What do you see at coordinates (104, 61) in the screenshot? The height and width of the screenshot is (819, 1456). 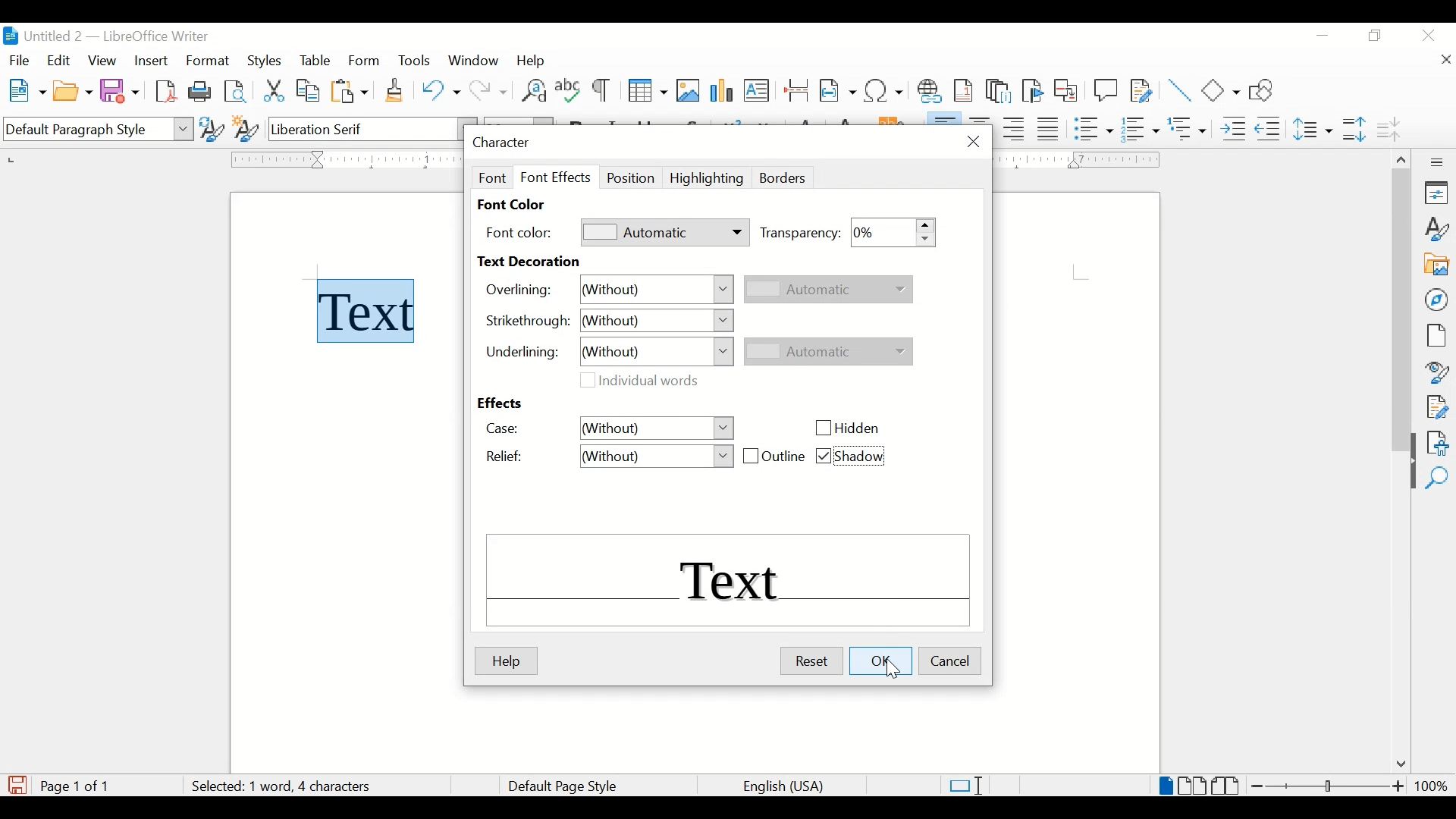 I see `view` at bounding box center [104, 61].